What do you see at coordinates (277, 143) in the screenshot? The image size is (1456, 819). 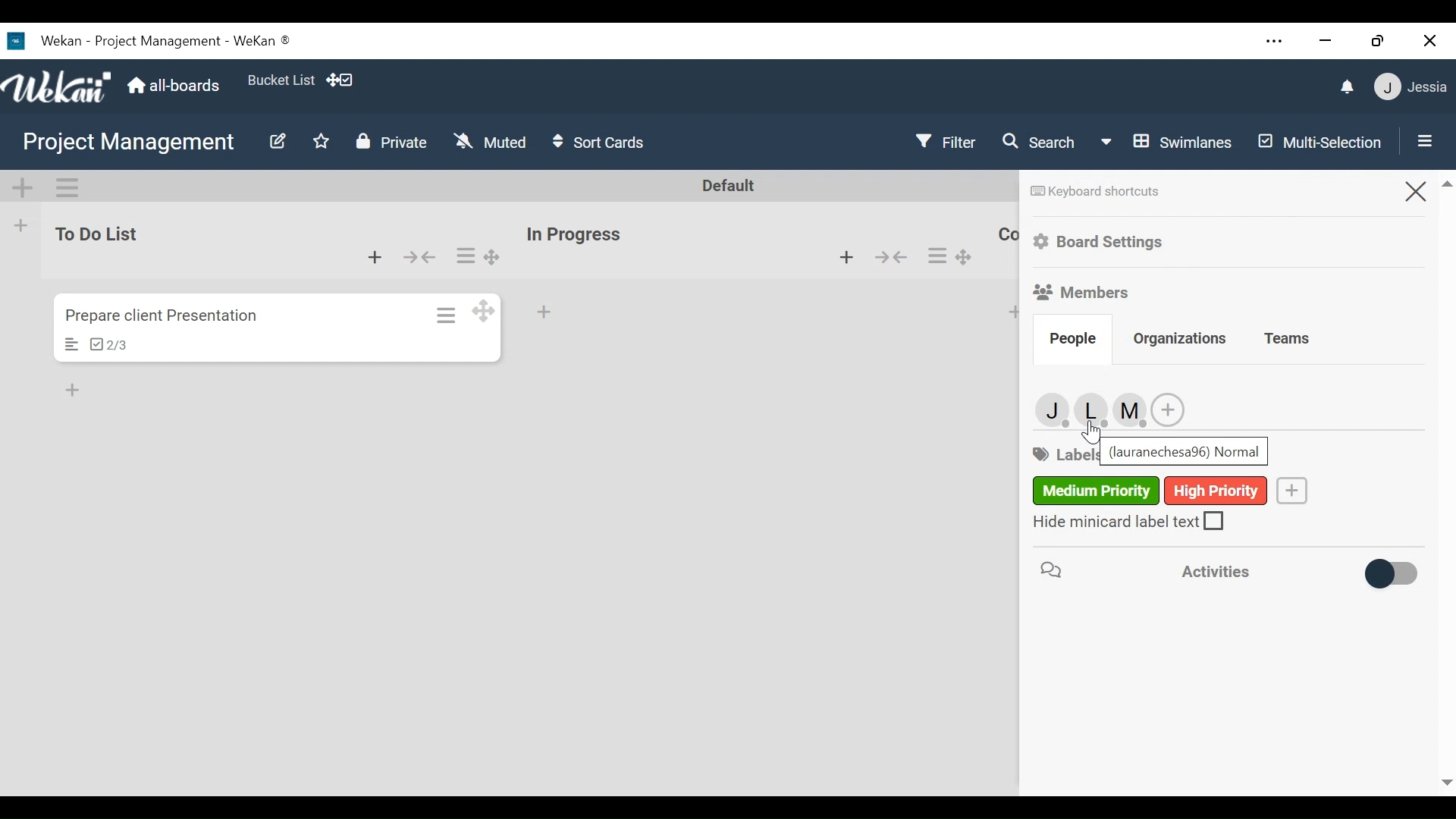 I see `Edit` at bounding box center [277, 143].